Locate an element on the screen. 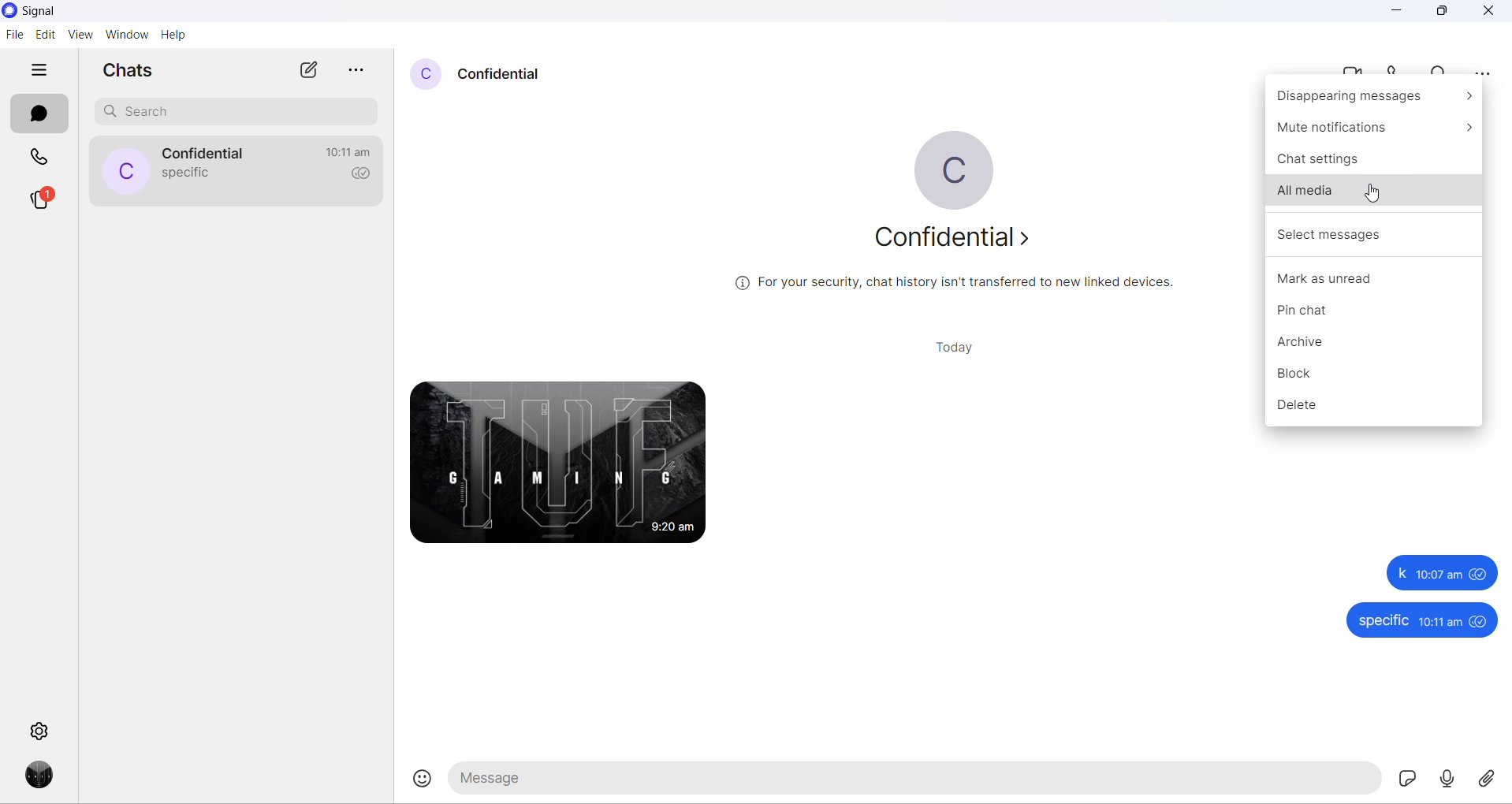 Image resolution: width=1512 pixels, height=804 pixels. 10:01 am is located at coordinates (1441, 575).